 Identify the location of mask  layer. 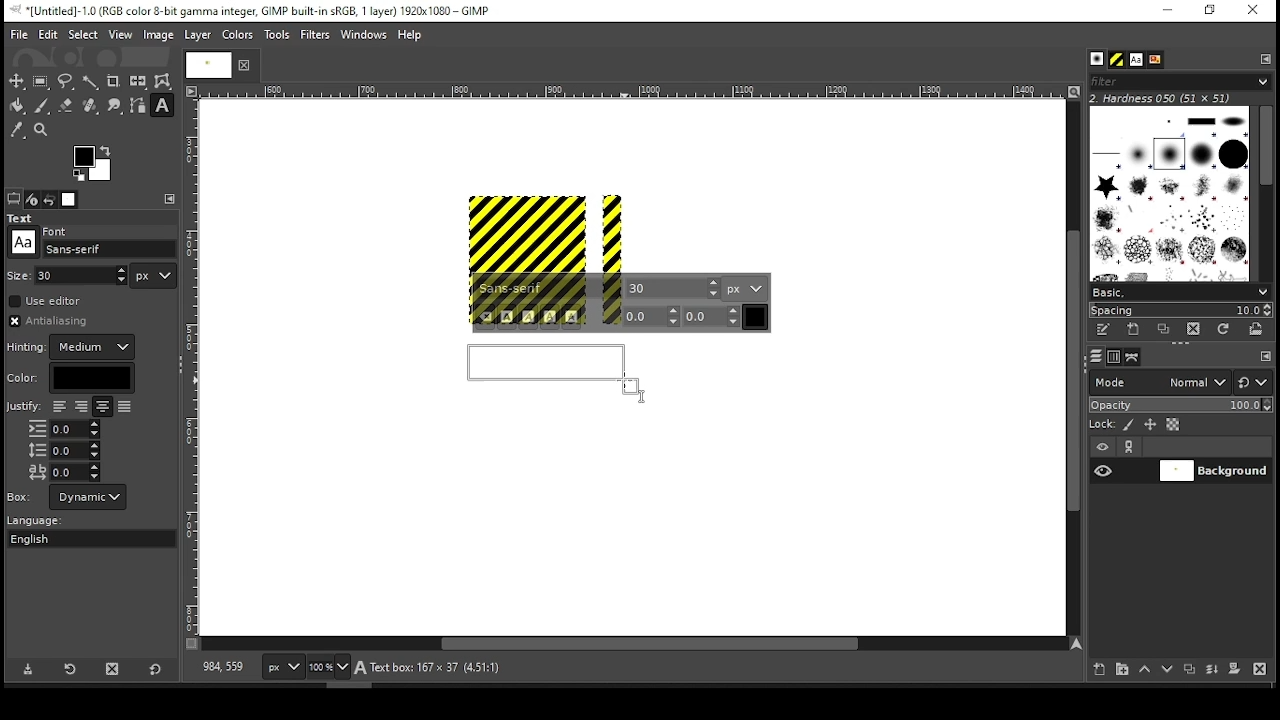
(1234, 670).